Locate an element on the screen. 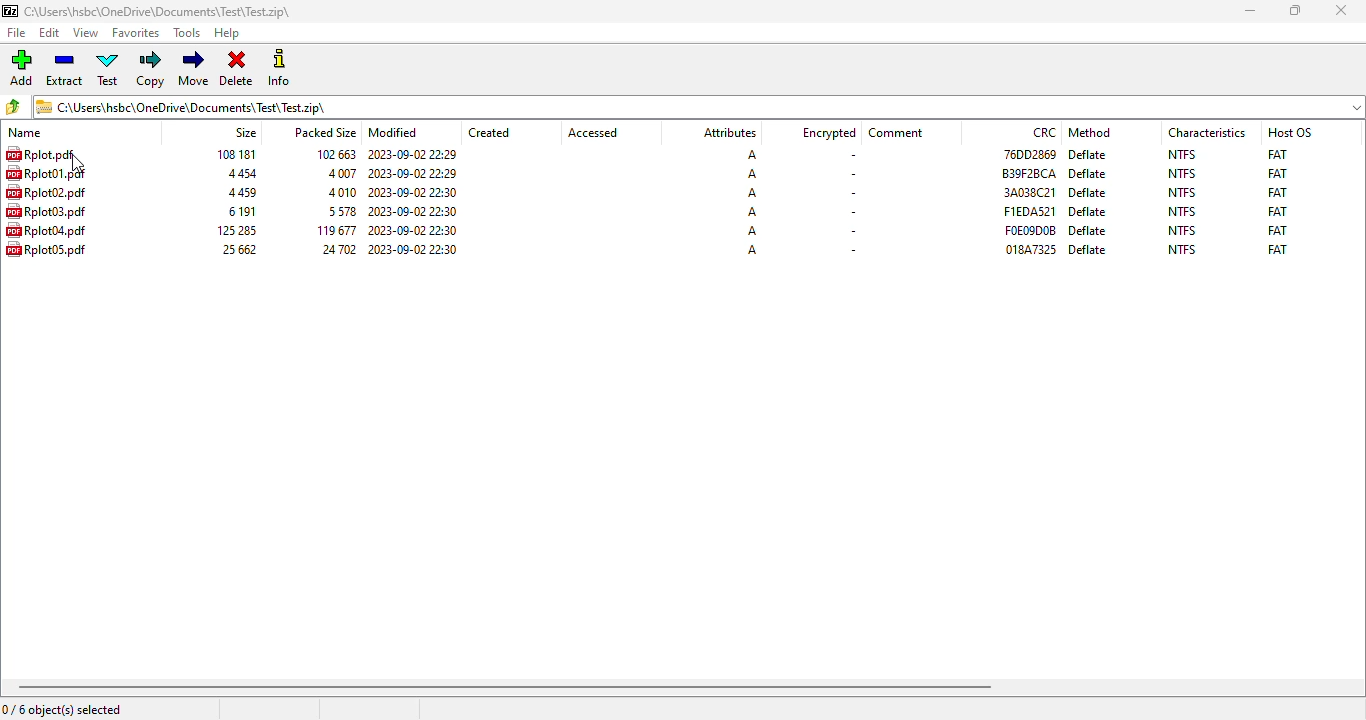 The height and width of the screenshot is (720, 1366).  comment is located at coordinates (896, 133).